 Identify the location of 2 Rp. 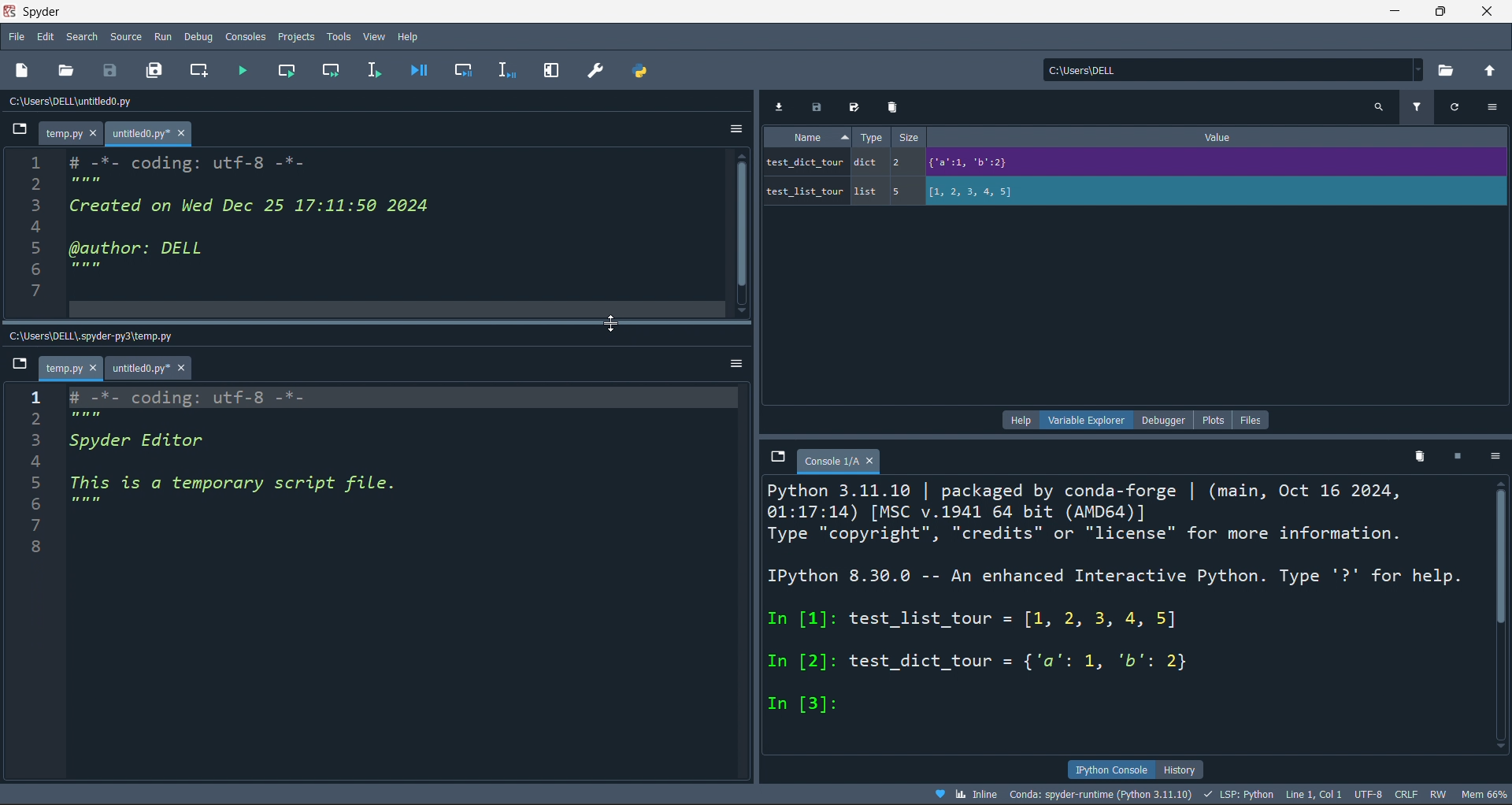
(88, 417).